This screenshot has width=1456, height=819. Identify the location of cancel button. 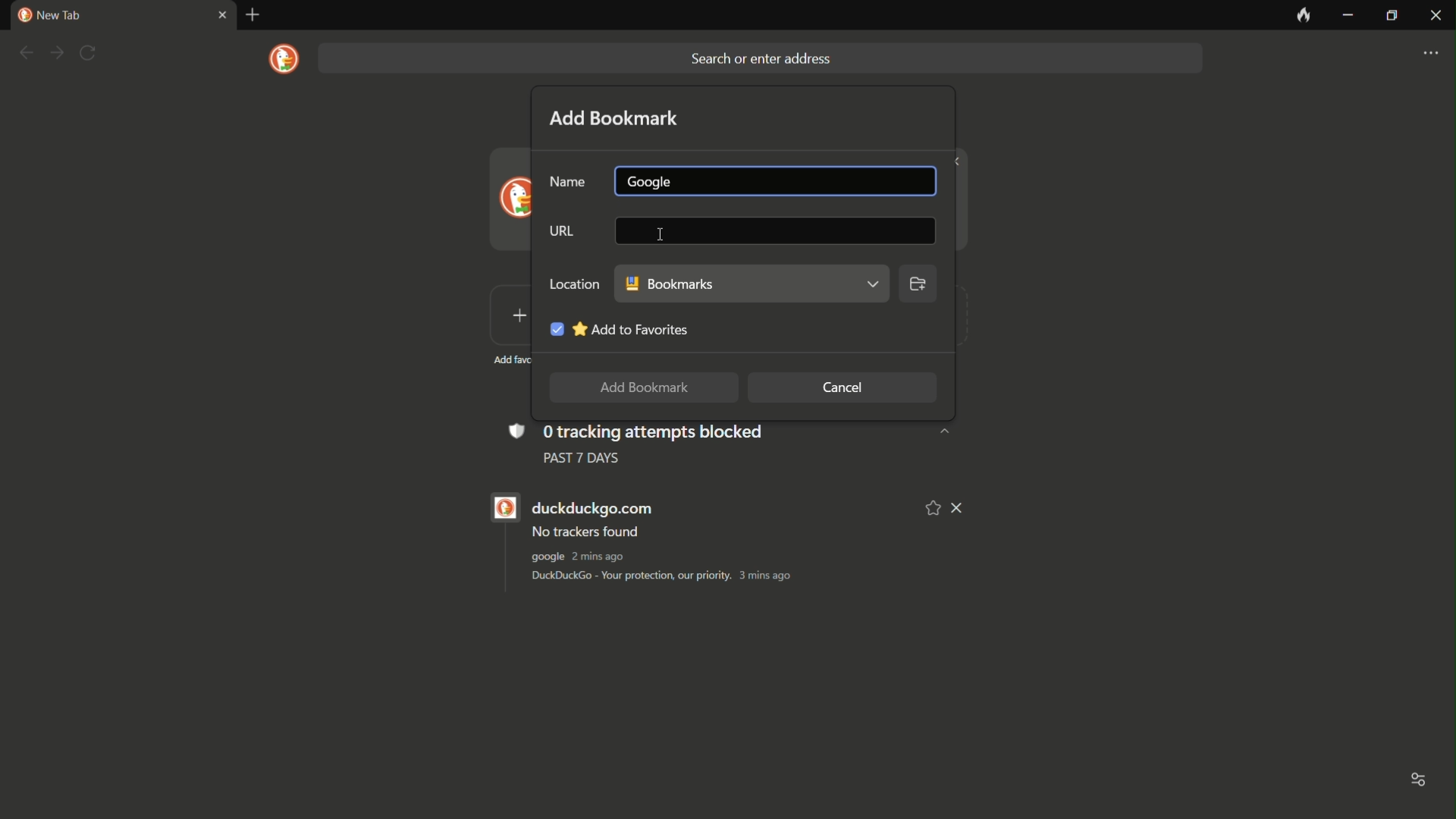
(843, 388).